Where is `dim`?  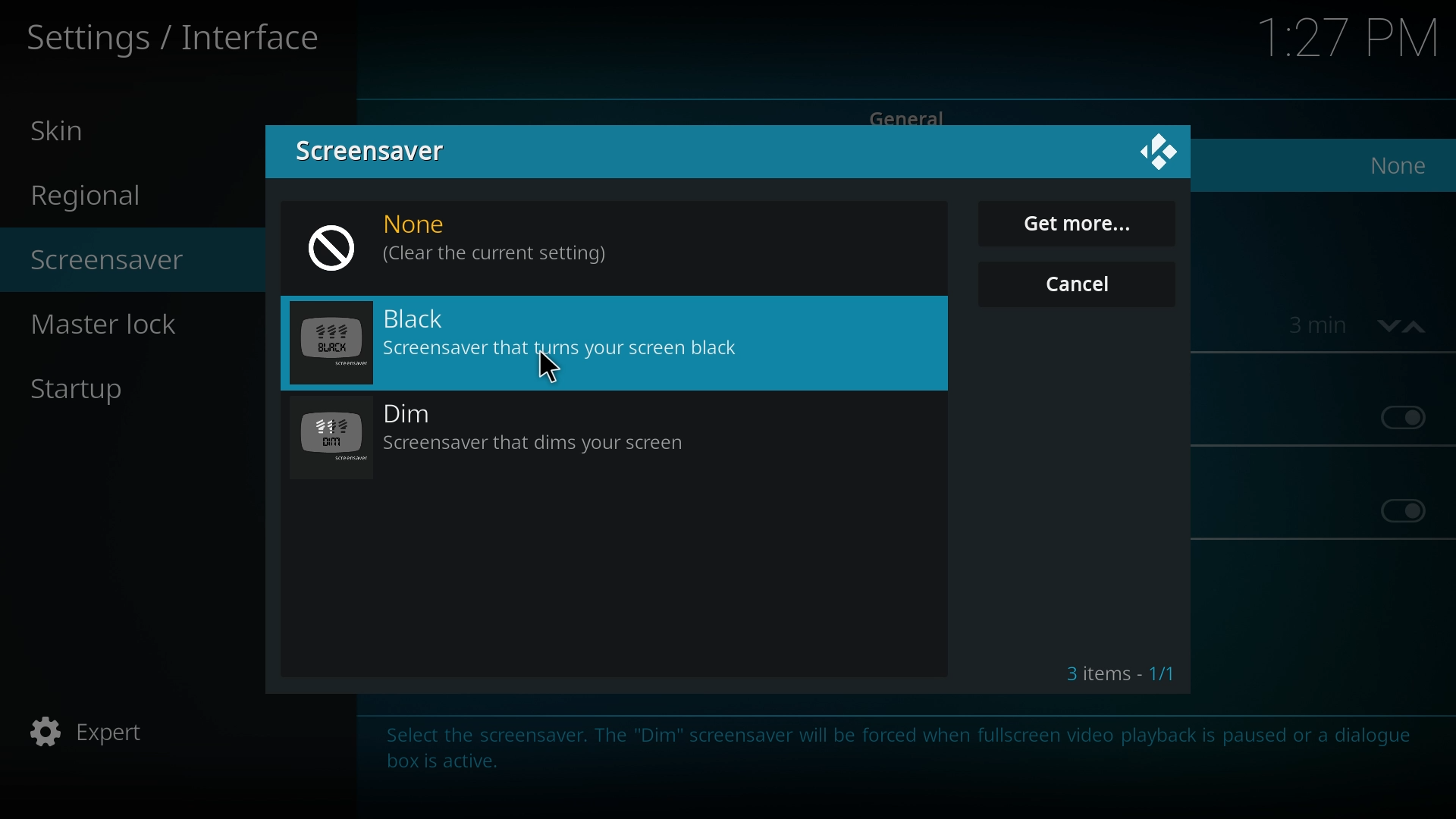 dim is located at coordinates (498, 435).